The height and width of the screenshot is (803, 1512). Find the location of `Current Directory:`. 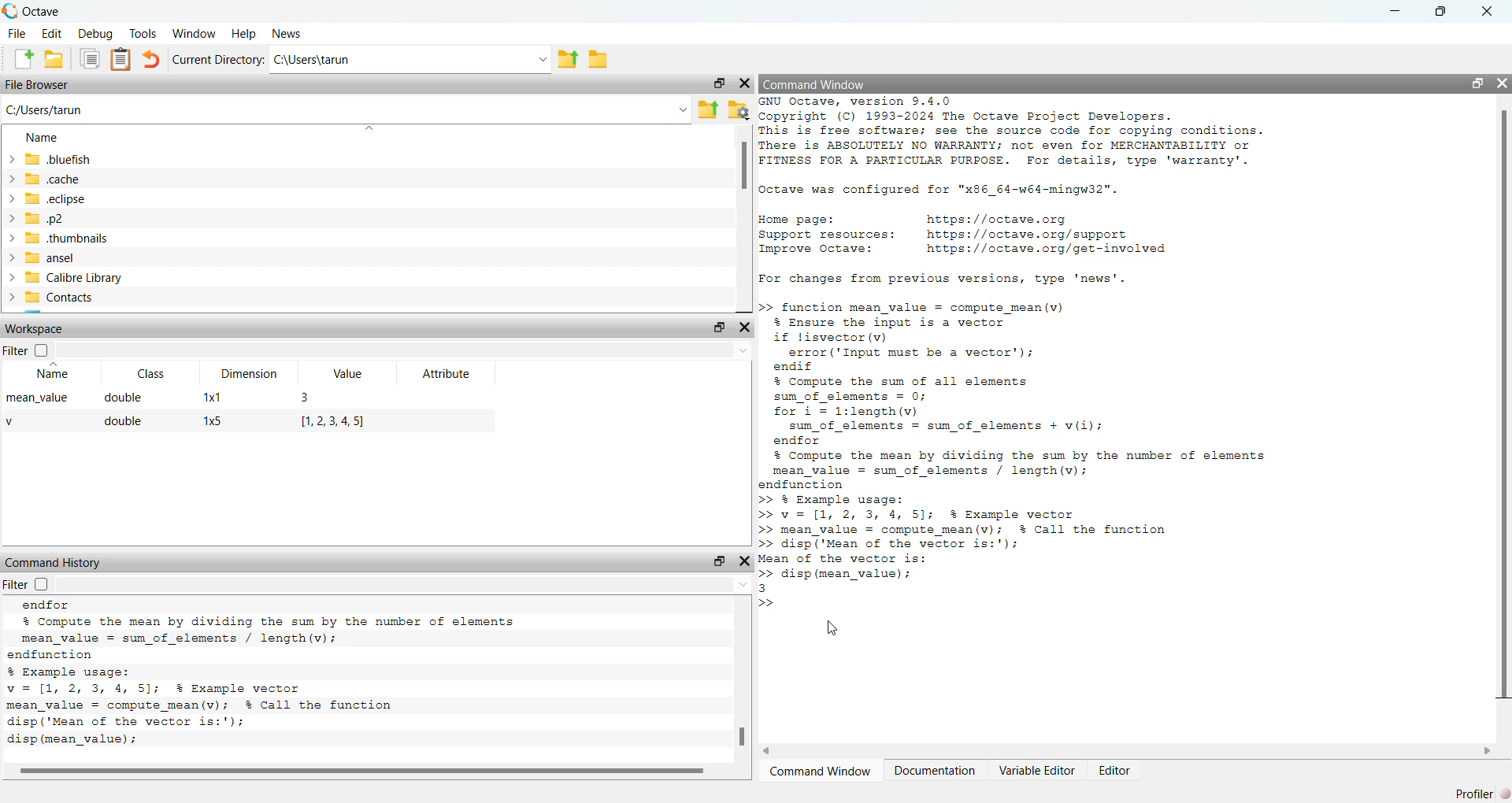

Current Directory: is located at coordinates (219, 60).